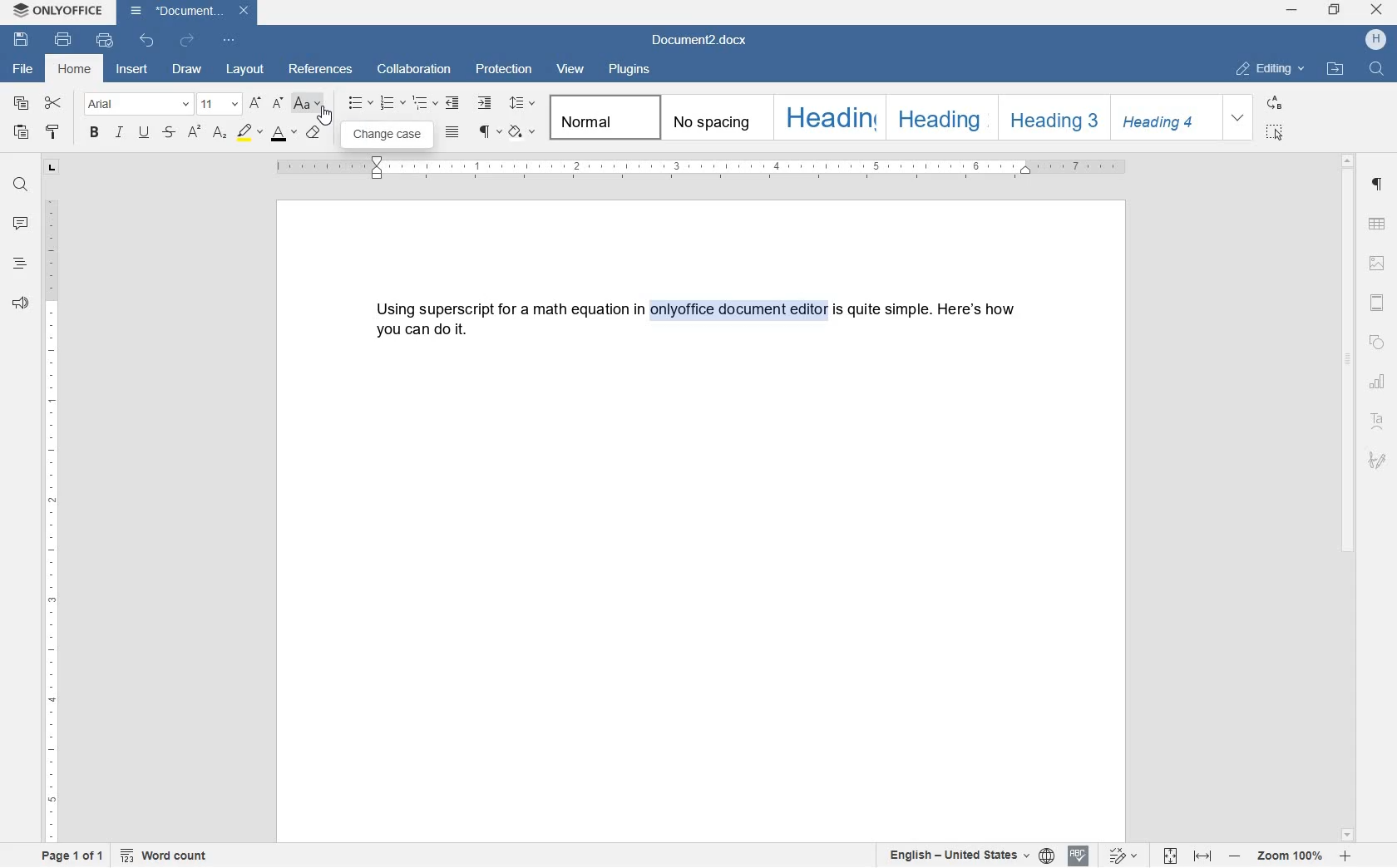 The width and height of the screenshot is (1397, 868). I want to click on paragraph settings, so click(1378, 185).